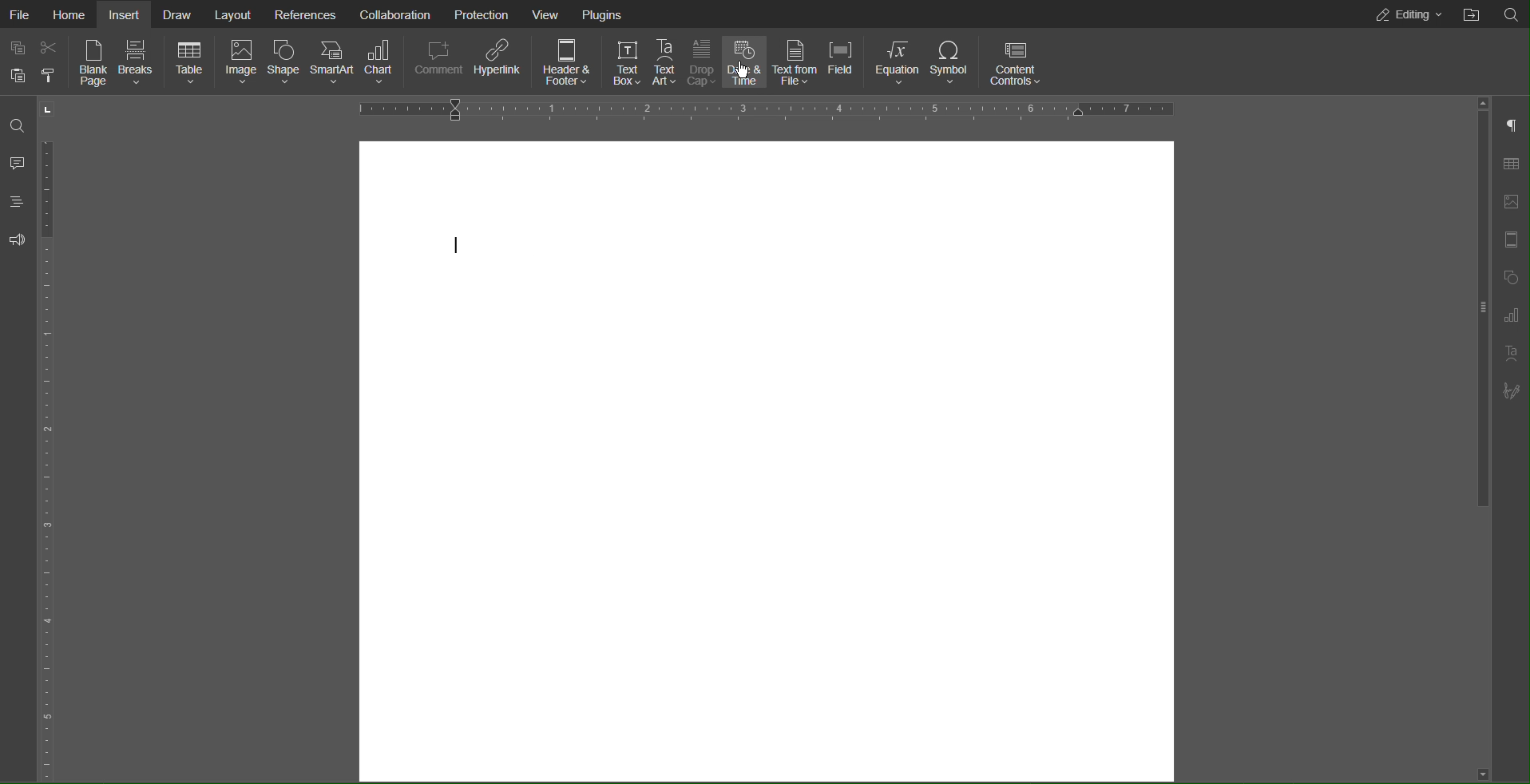  I want to click on SmartArt, so click(331, 62).